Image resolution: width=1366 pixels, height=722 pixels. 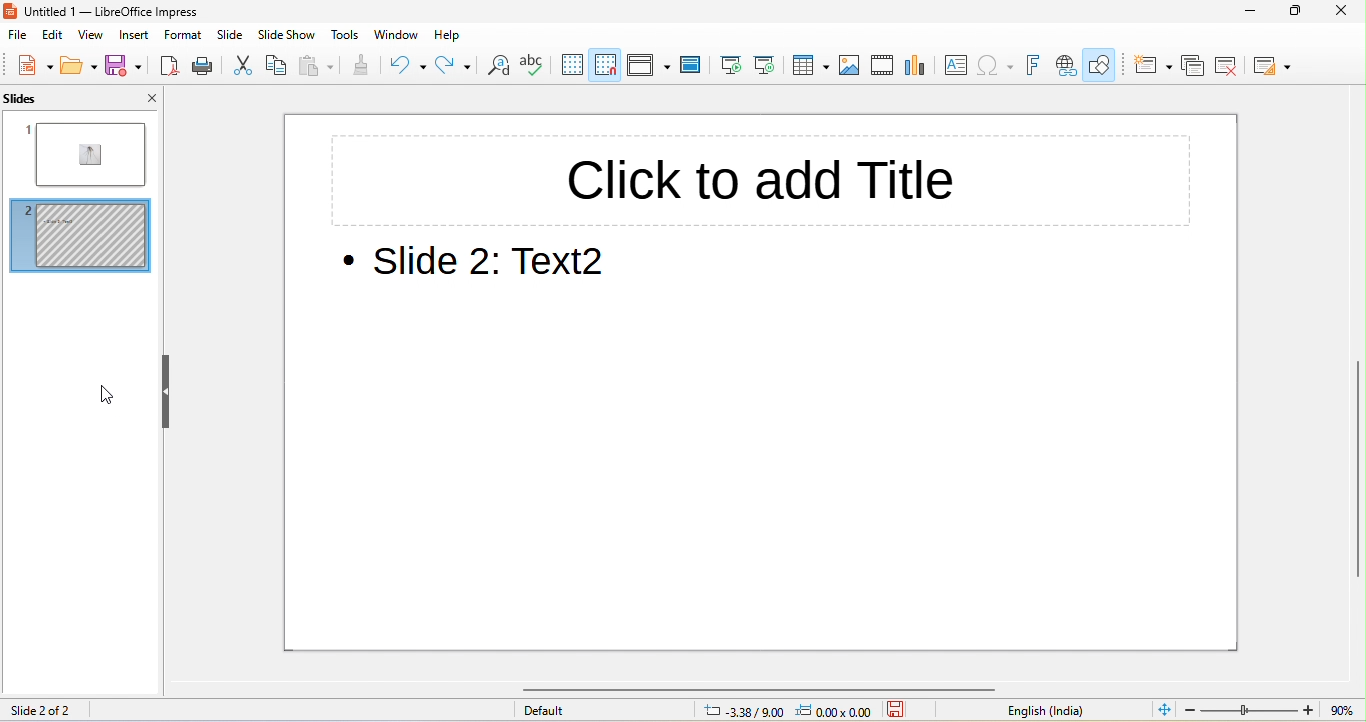 I want to click on slide 2 hidden, so click(x=85, y=240).